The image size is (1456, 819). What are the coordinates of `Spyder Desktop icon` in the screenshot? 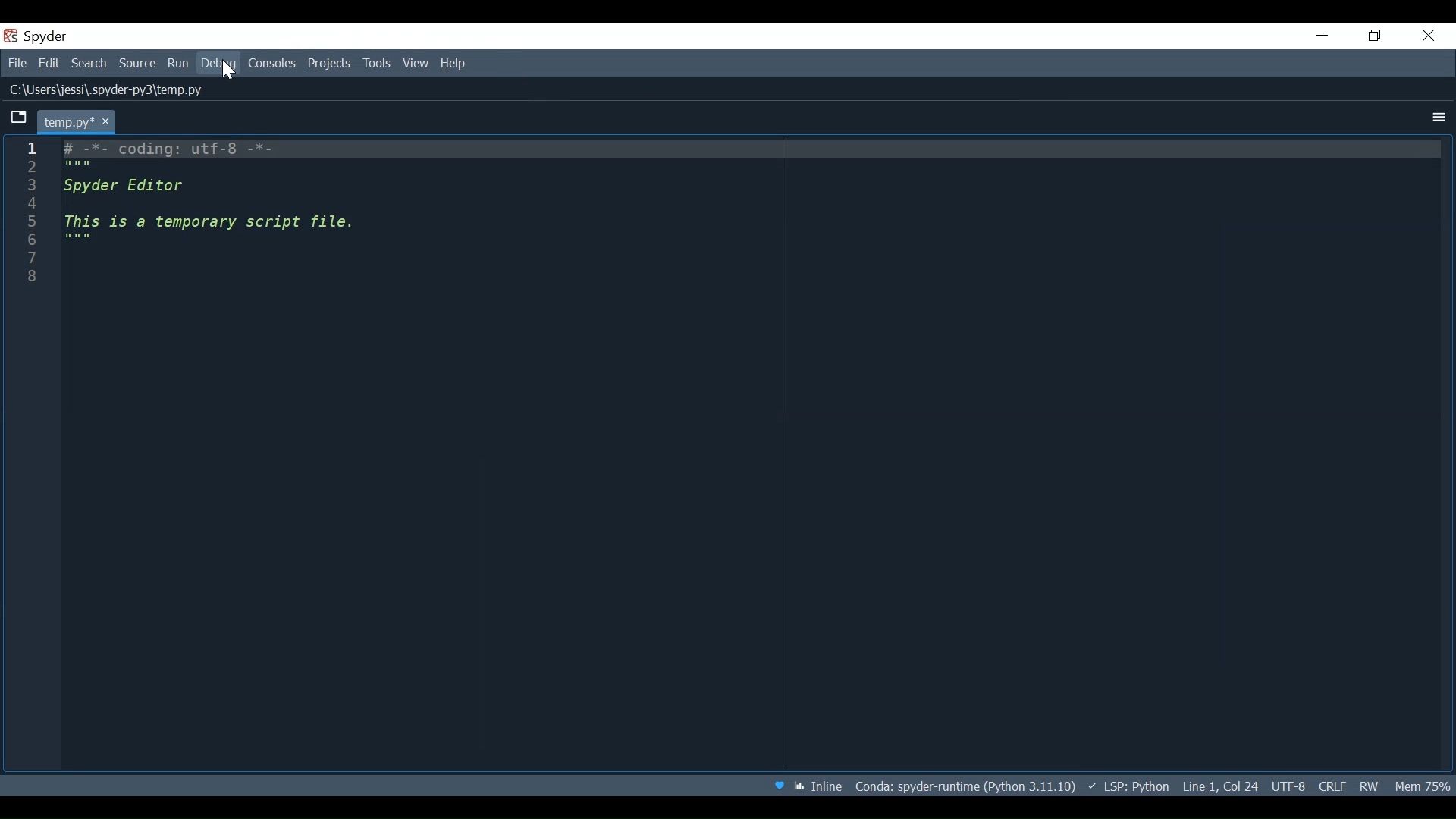 It's located at (38, 35).